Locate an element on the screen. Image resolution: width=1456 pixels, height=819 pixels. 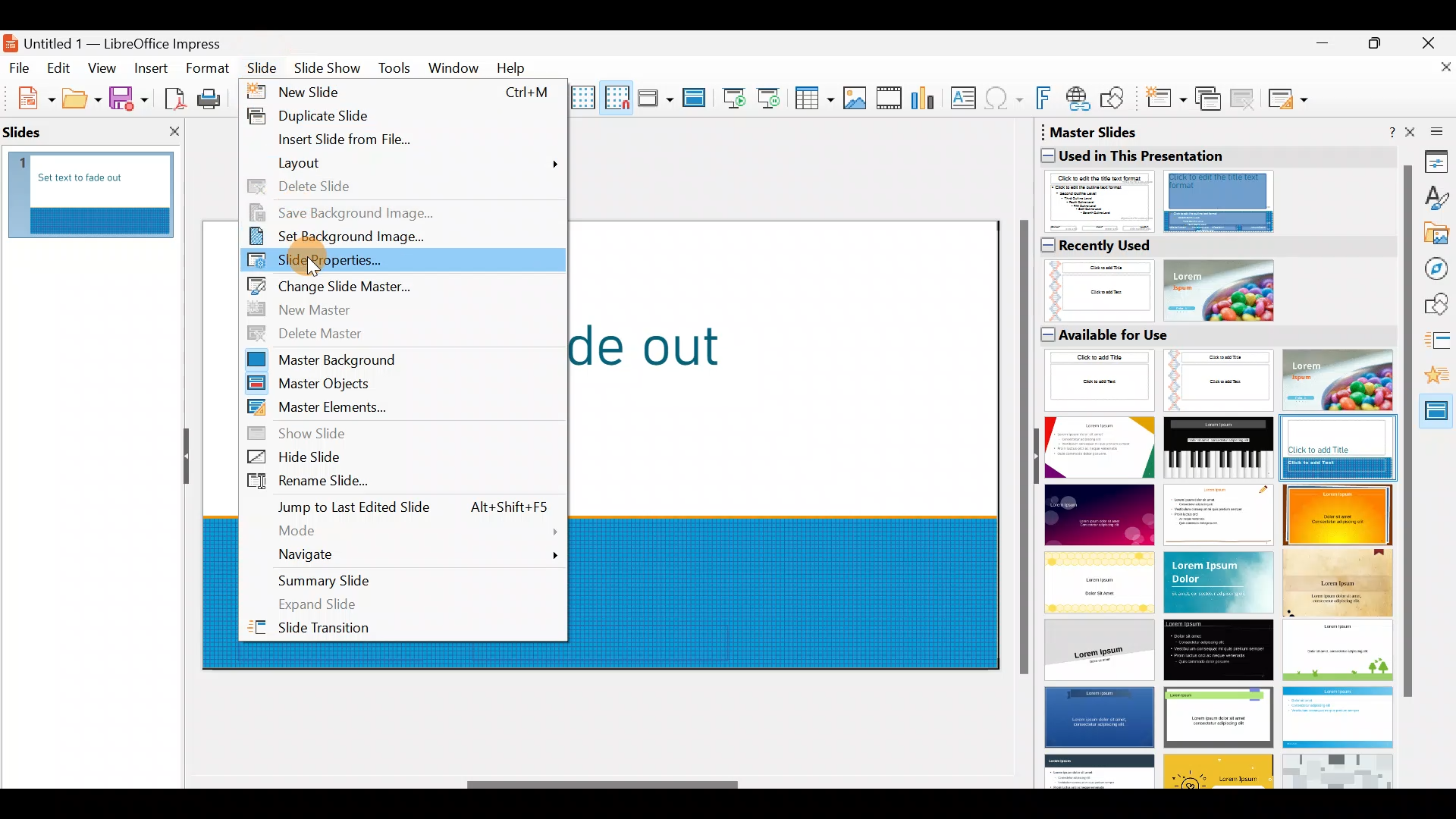
Export directly as PDF is located at coordinates (171, 97).